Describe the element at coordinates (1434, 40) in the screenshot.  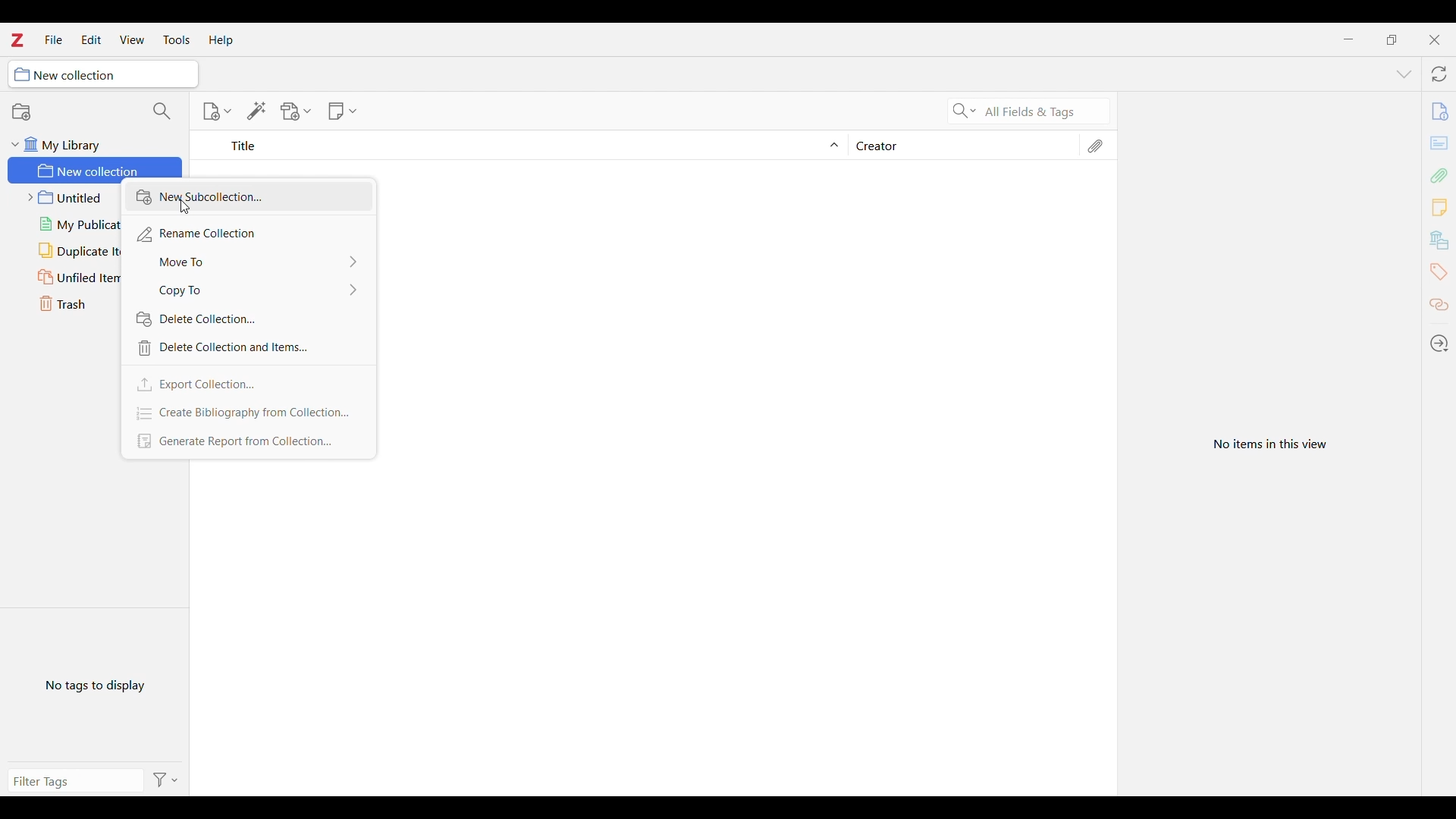
I see `Close interface` at that location.